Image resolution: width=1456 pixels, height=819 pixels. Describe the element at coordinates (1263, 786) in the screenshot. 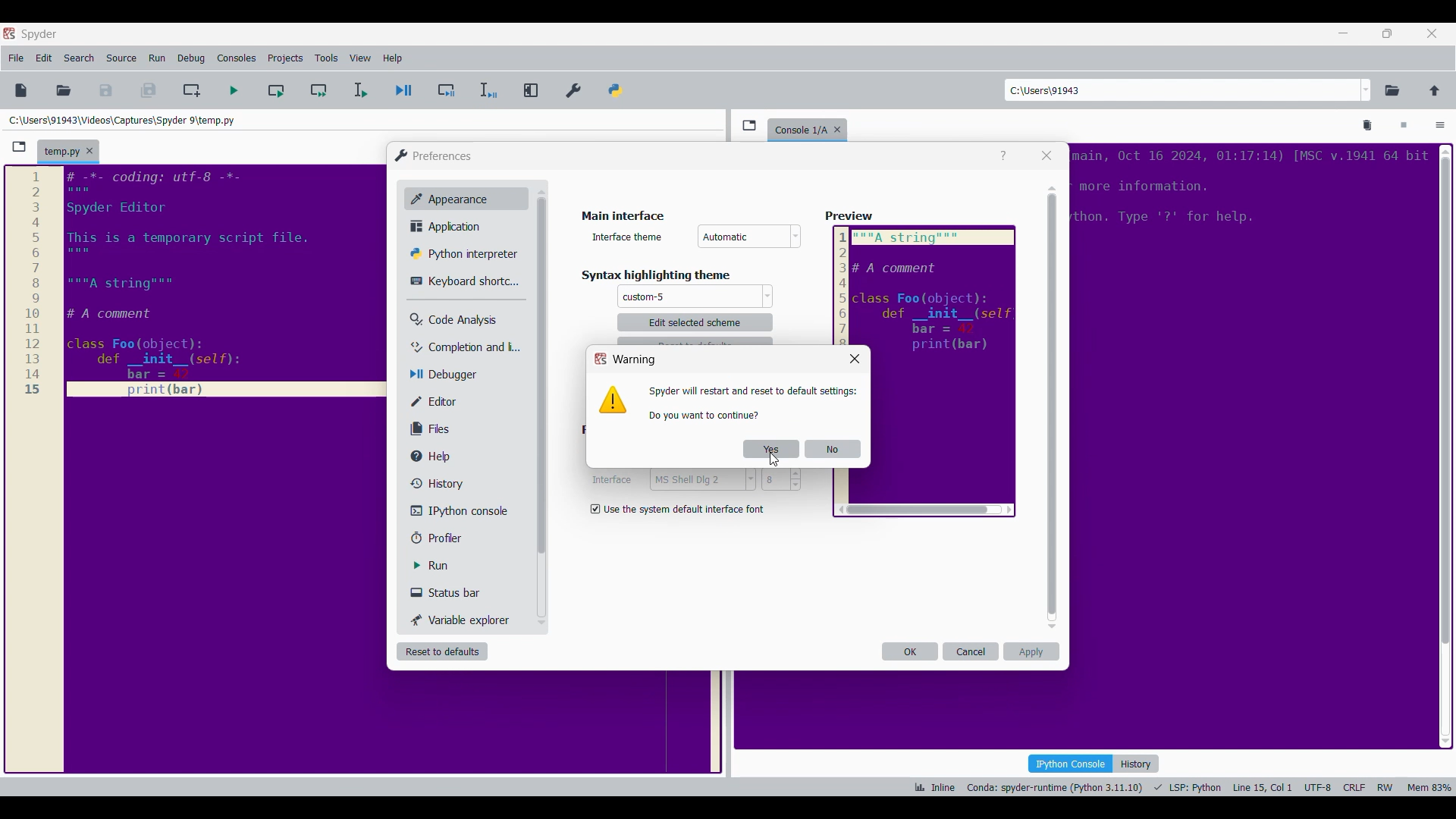

I see `Line 15, Col 1` at that location.